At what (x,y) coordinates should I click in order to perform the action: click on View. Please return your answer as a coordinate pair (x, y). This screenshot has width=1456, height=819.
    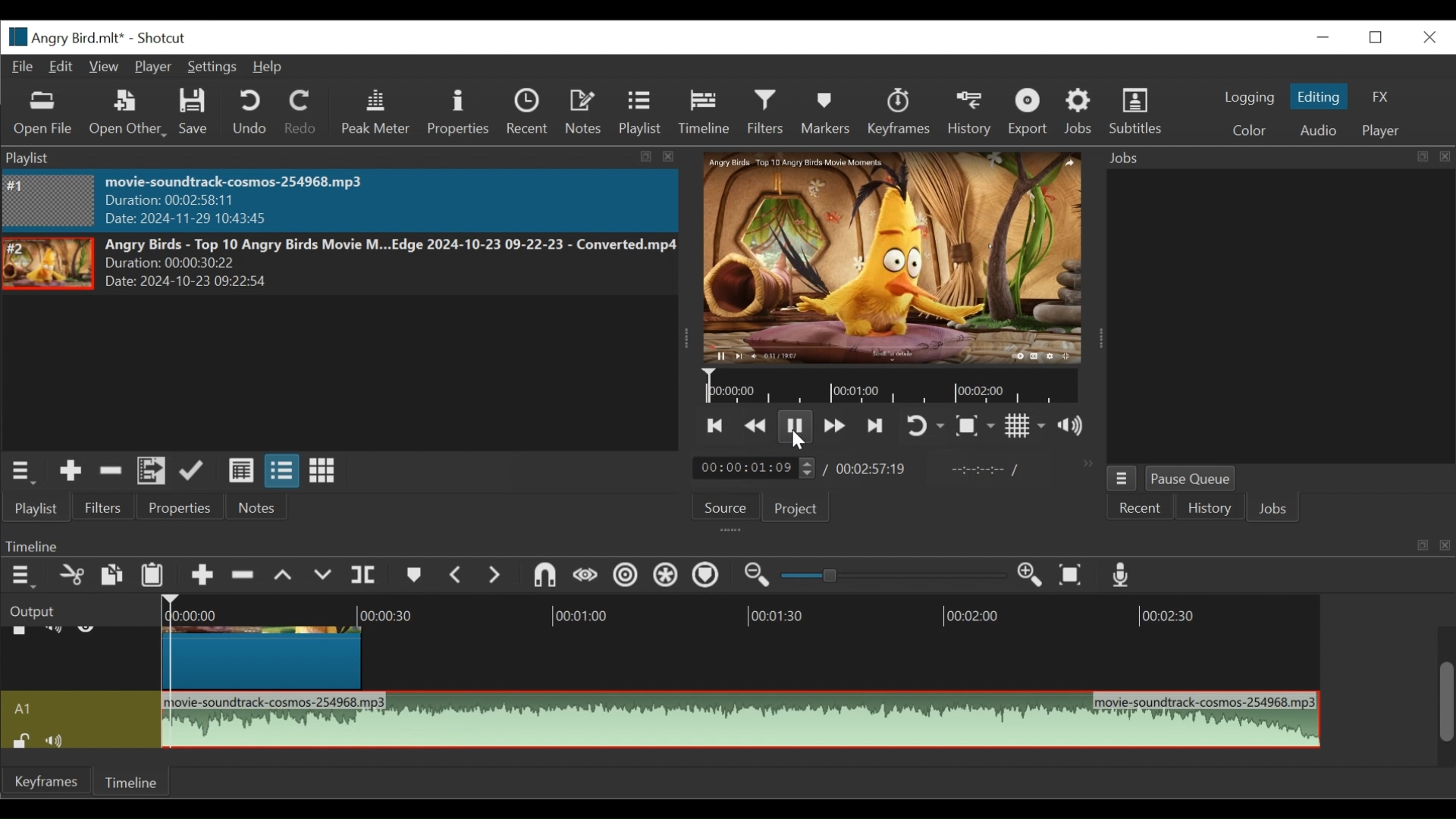
    Looking at the image, I should click on (104, 66).